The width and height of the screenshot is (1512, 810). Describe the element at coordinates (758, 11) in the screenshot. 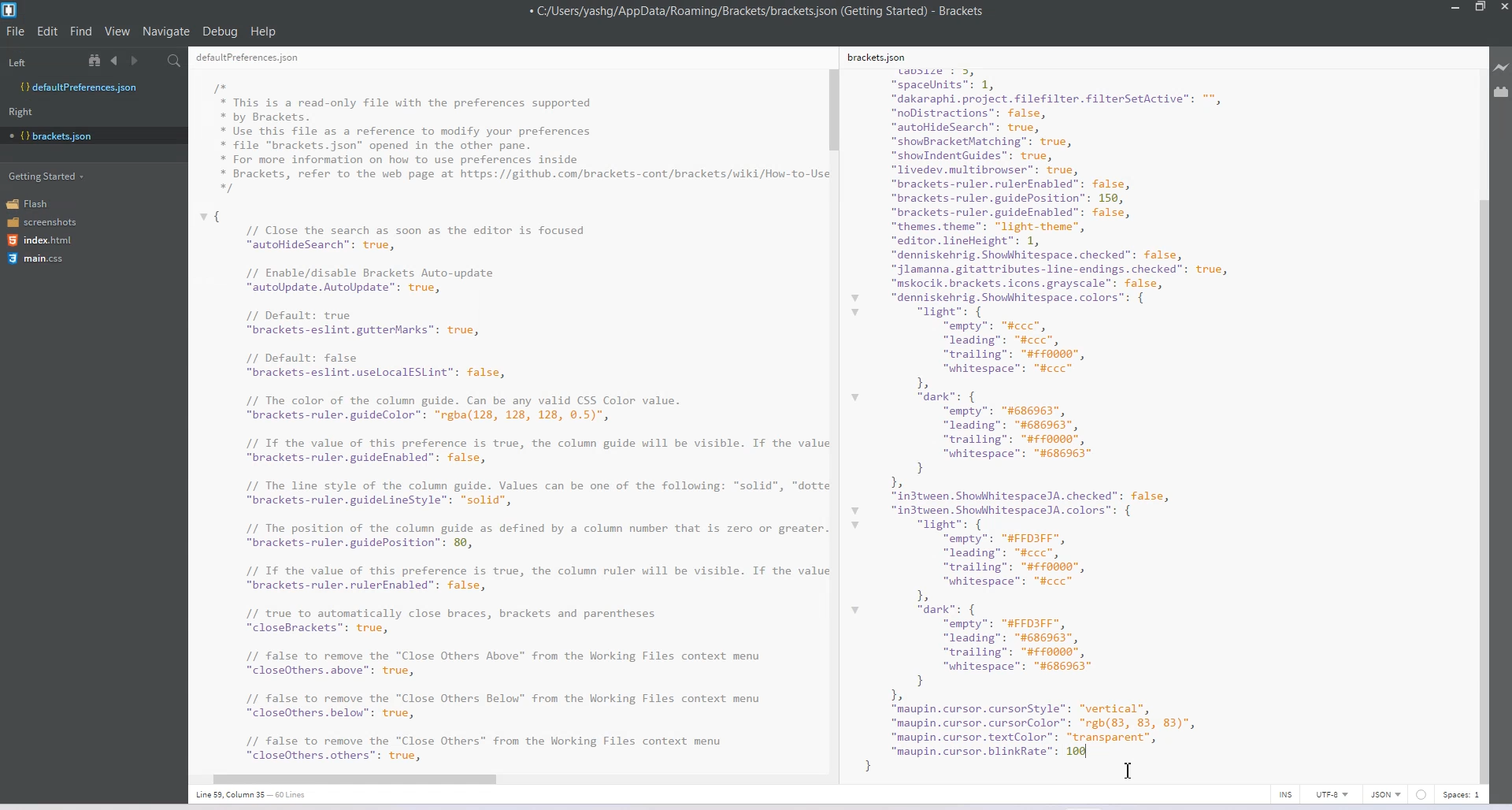

I see `C:/Users/yashg/AppData/Roaming/Brackets/brackets json (Getting Started) - Brackets` at that location.